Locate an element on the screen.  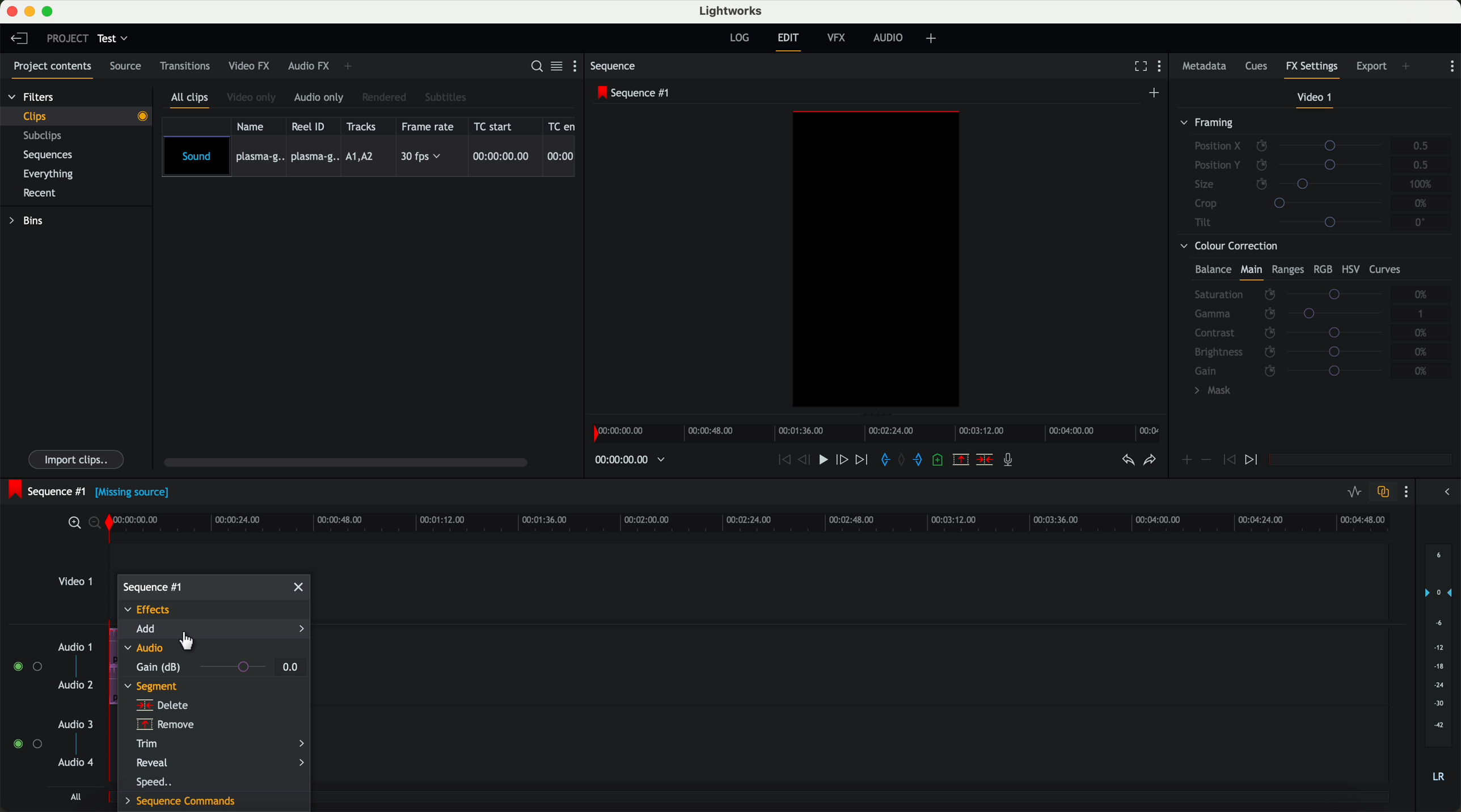
maximize is located at coordinates (50, 11).